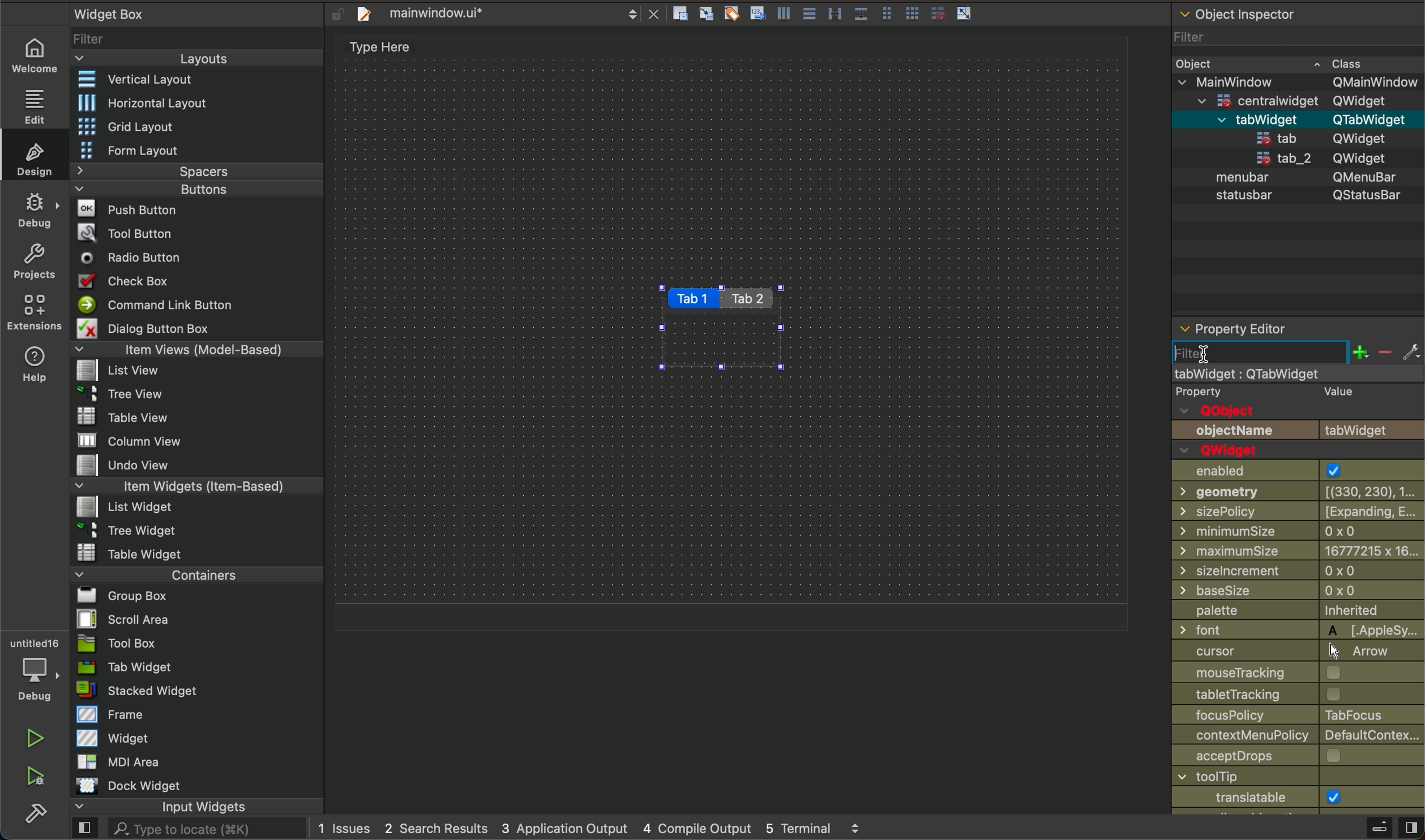  What do you see at coordinates (1362, 157) in the screenshot?
I see `QWidget` at bounding box center [1362, 157].